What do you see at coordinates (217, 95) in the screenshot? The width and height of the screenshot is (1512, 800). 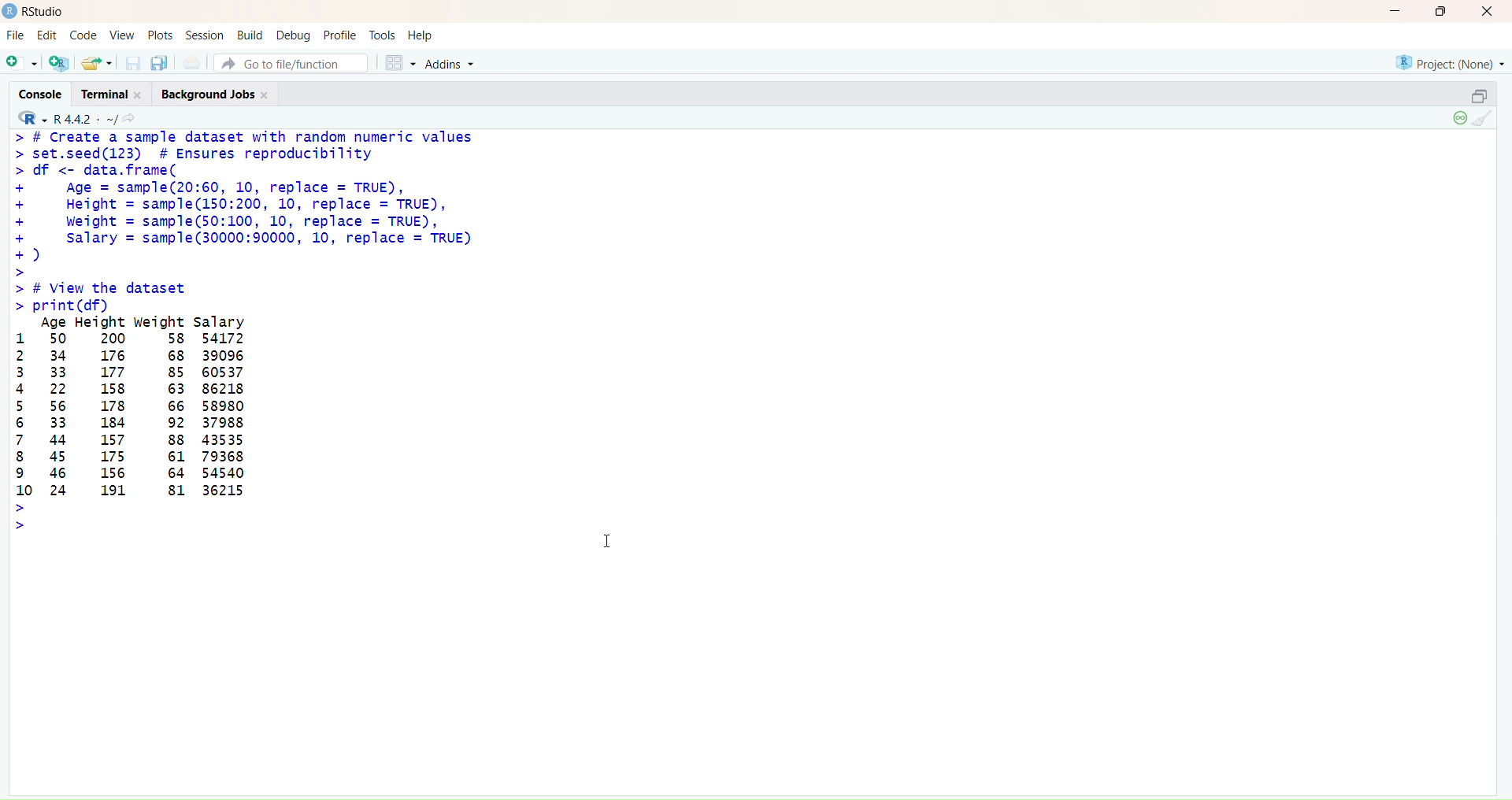 I see `Background jobs` at bounding box center [217, 95].